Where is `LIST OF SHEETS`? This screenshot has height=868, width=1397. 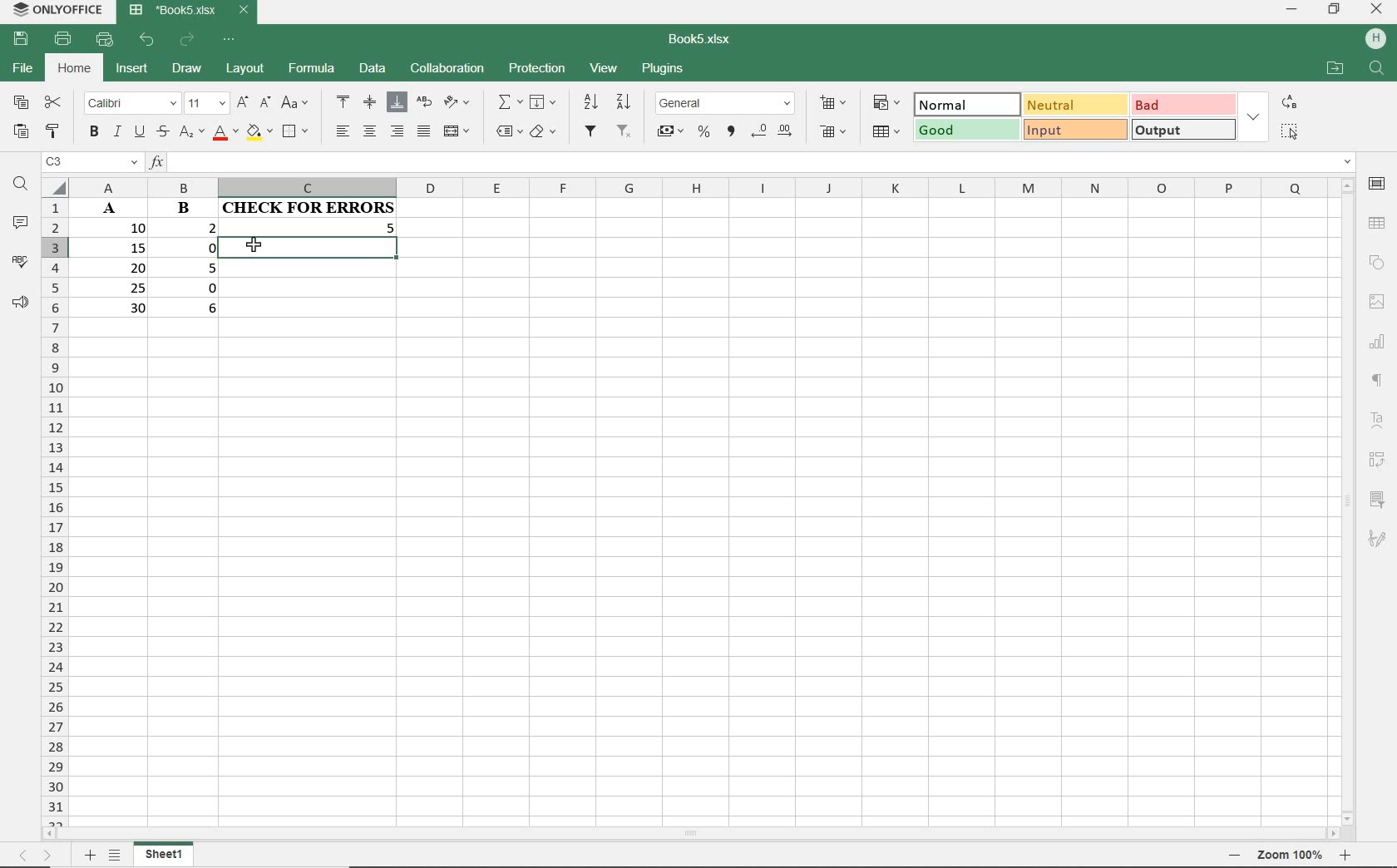
LIST OF SHEETS is located at coordinates (115, 856).